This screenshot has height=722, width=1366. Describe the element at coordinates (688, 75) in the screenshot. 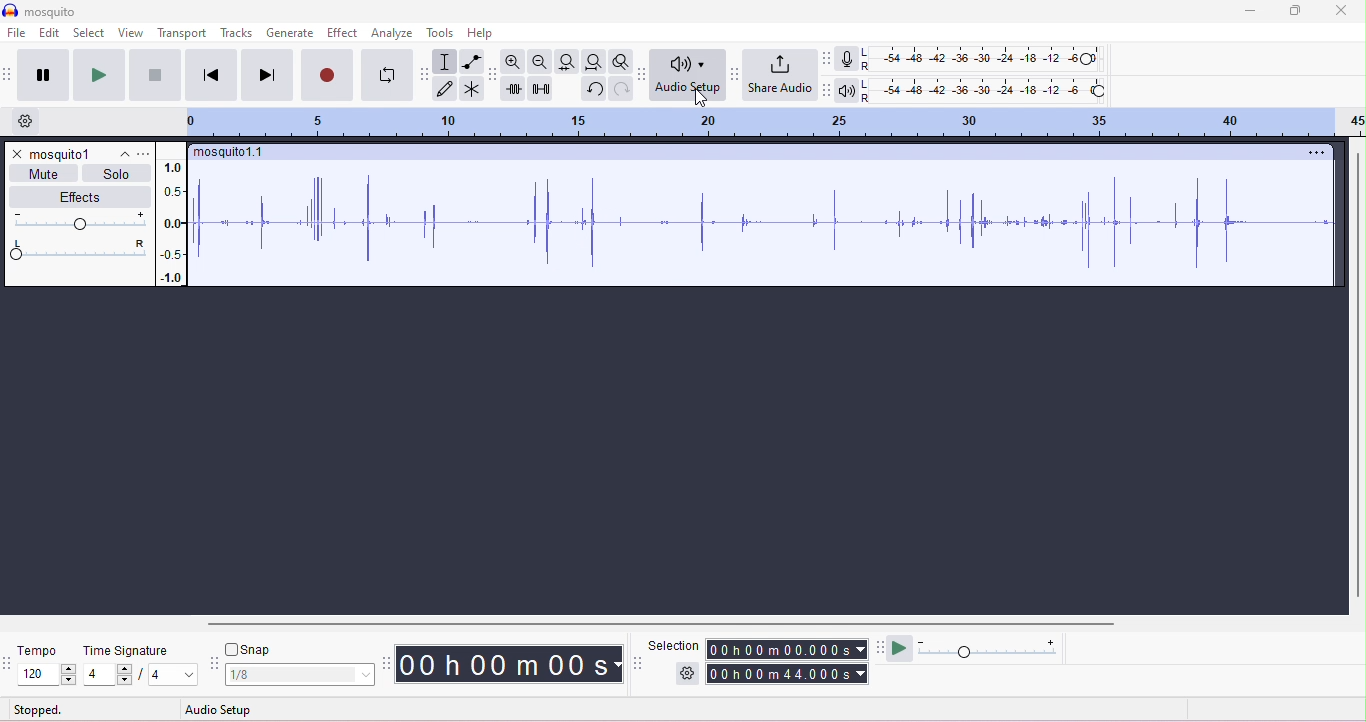

I see `audio set up` at that location.